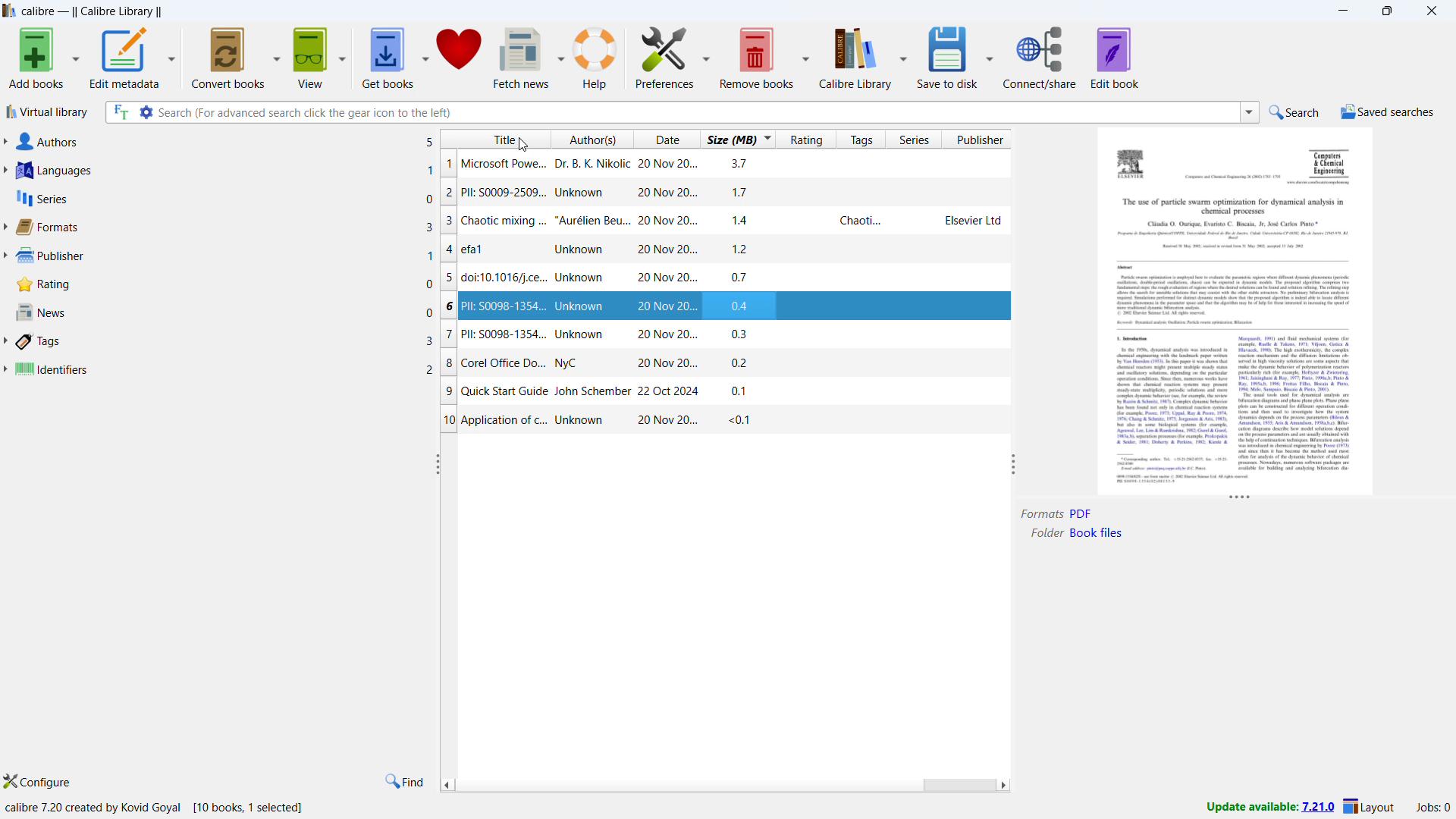 The image size is (1456, 819). What do you see at coordinates (224, 312) in the screenshot?
I see `news` at bounding box center [224, 312].